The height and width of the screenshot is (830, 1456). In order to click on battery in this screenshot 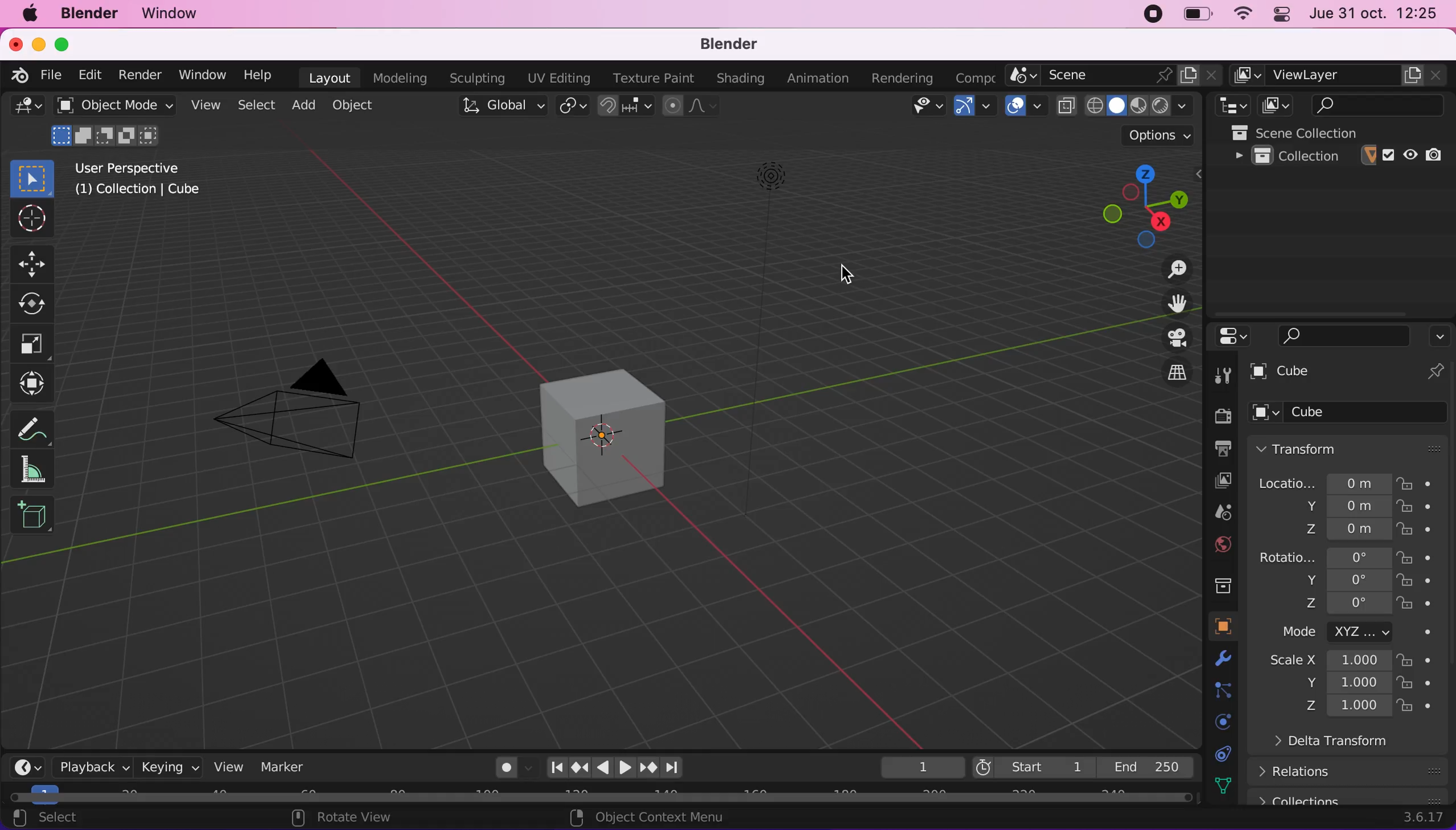, I will do `click(1194, 15)`.